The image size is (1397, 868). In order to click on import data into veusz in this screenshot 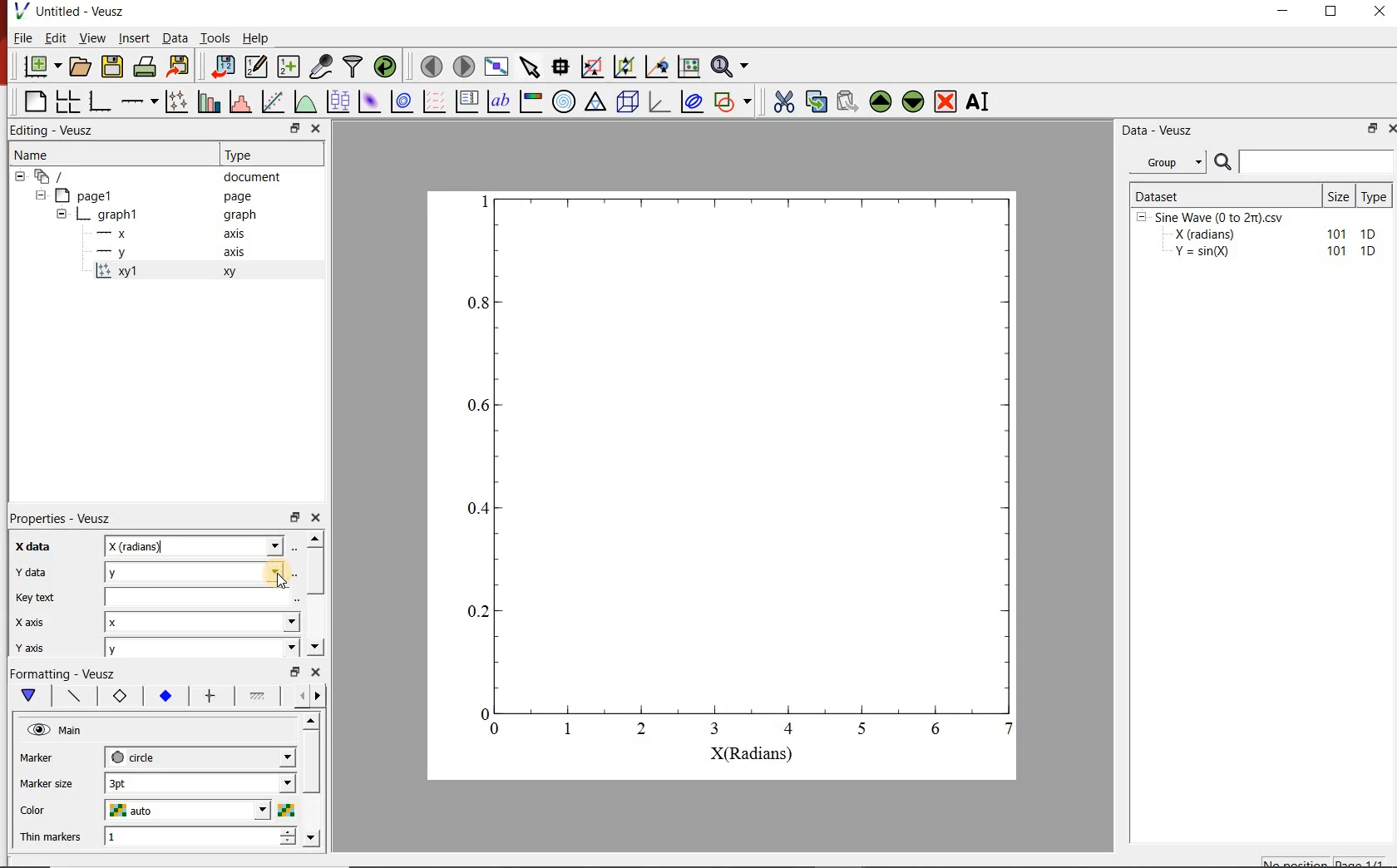, I will do `click(221, 66)`.